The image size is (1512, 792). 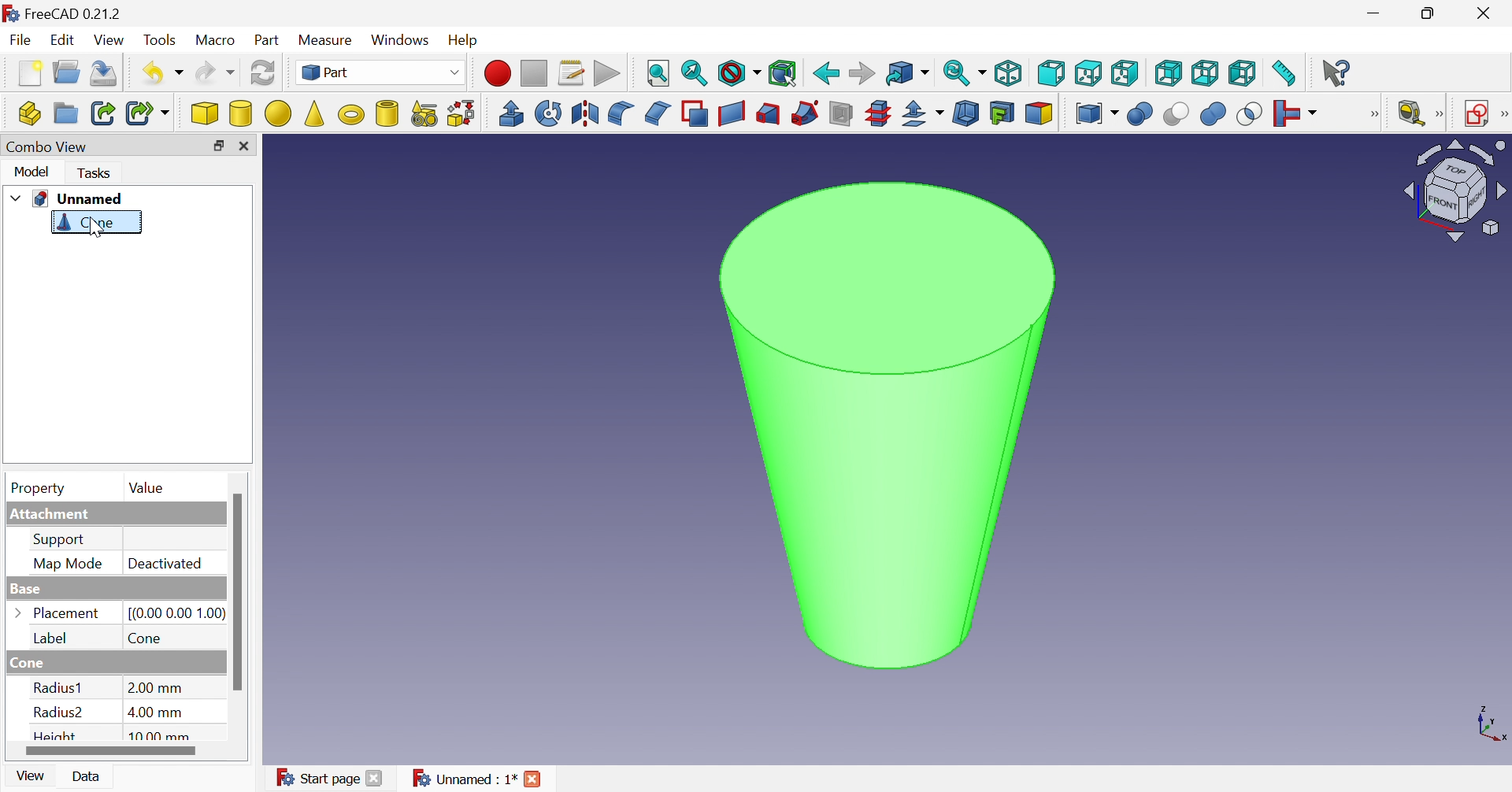 What do you see at coordinates (39, 490) in the screenshot?
I see `Property` at bounding box center [39, 490].